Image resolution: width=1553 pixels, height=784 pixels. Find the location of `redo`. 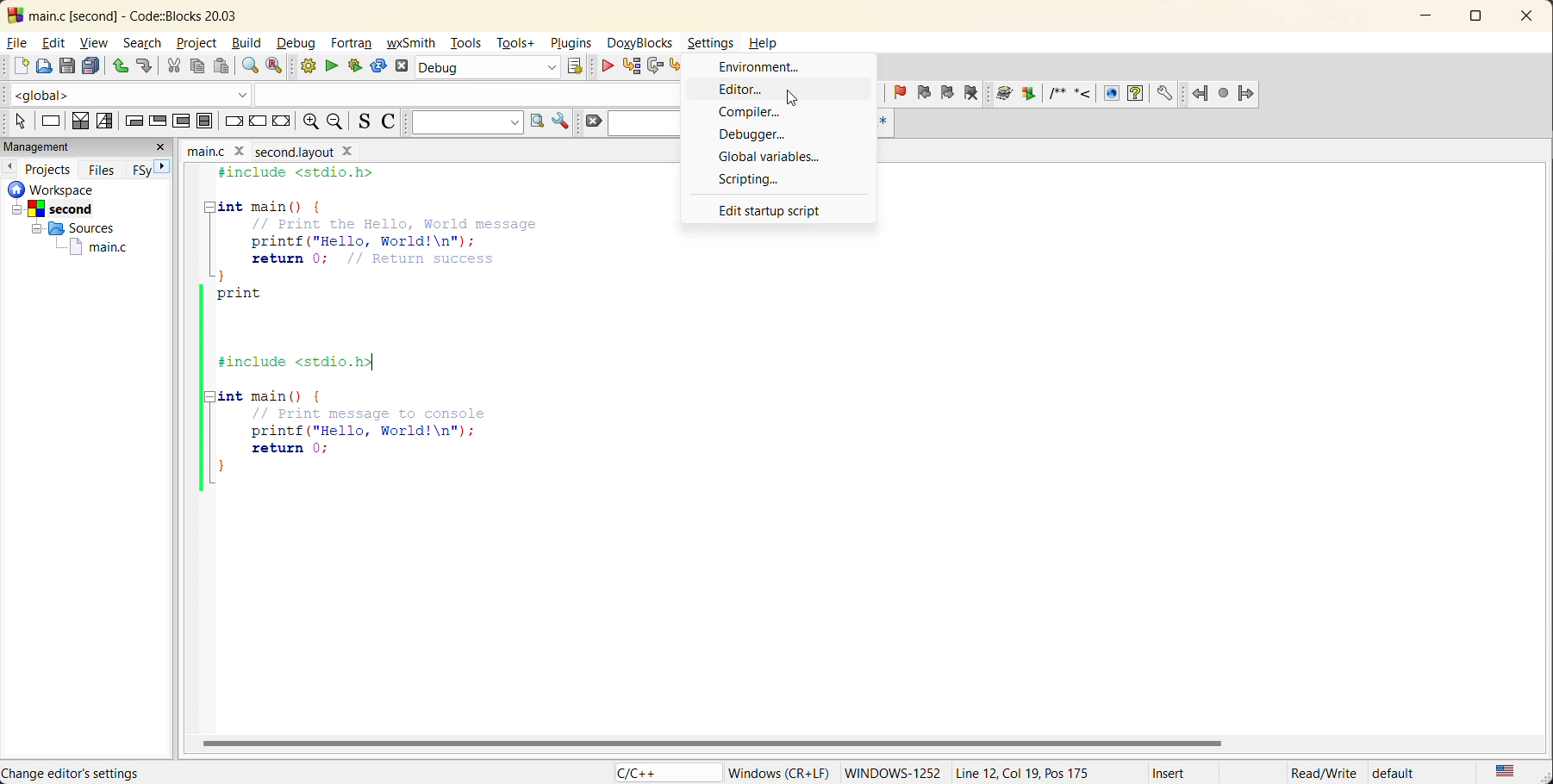

redo is located at coordinates (143, 65).